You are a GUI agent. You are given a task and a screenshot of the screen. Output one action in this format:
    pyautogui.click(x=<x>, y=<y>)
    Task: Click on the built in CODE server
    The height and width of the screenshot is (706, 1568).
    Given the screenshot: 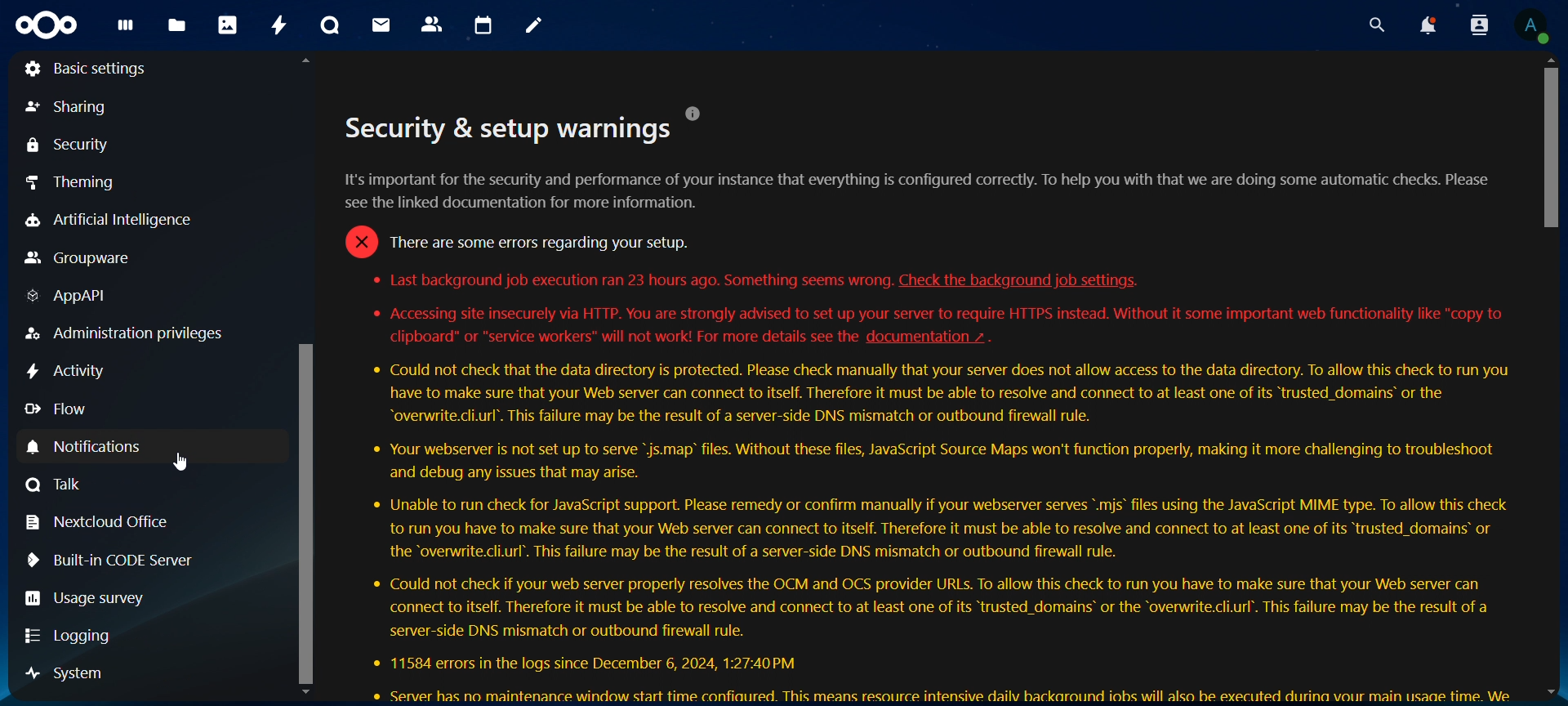 What is the action you would take?
    pyautogui.click(x=114, y=559)
    